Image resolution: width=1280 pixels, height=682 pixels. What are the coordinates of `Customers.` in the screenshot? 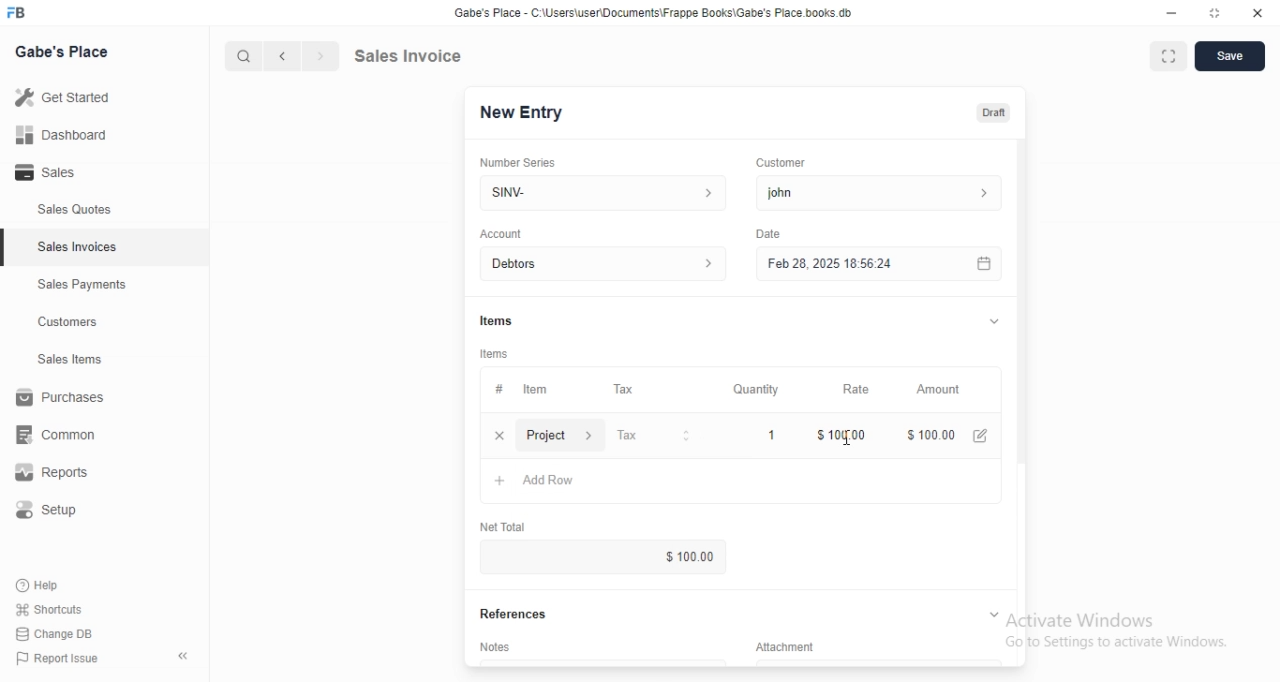 It's located at (62, 324).